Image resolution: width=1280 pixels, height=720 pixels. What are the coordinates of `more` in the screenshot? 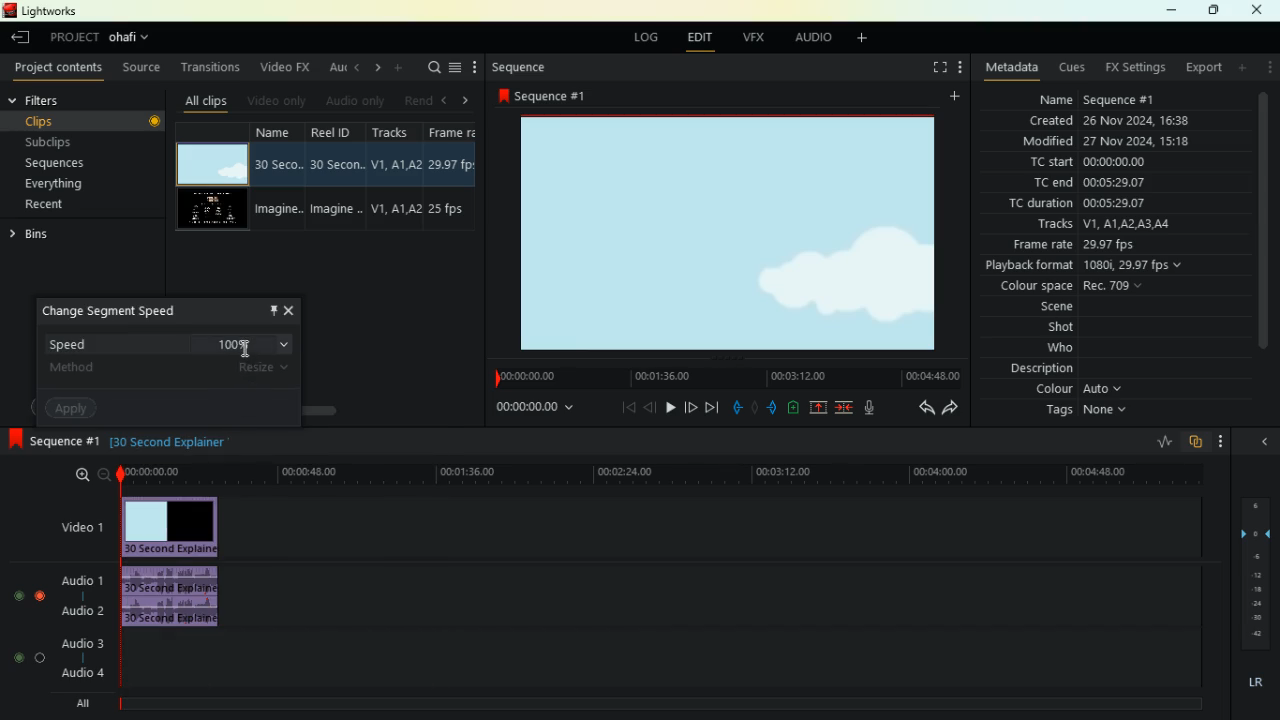 It's located at (958, 69).